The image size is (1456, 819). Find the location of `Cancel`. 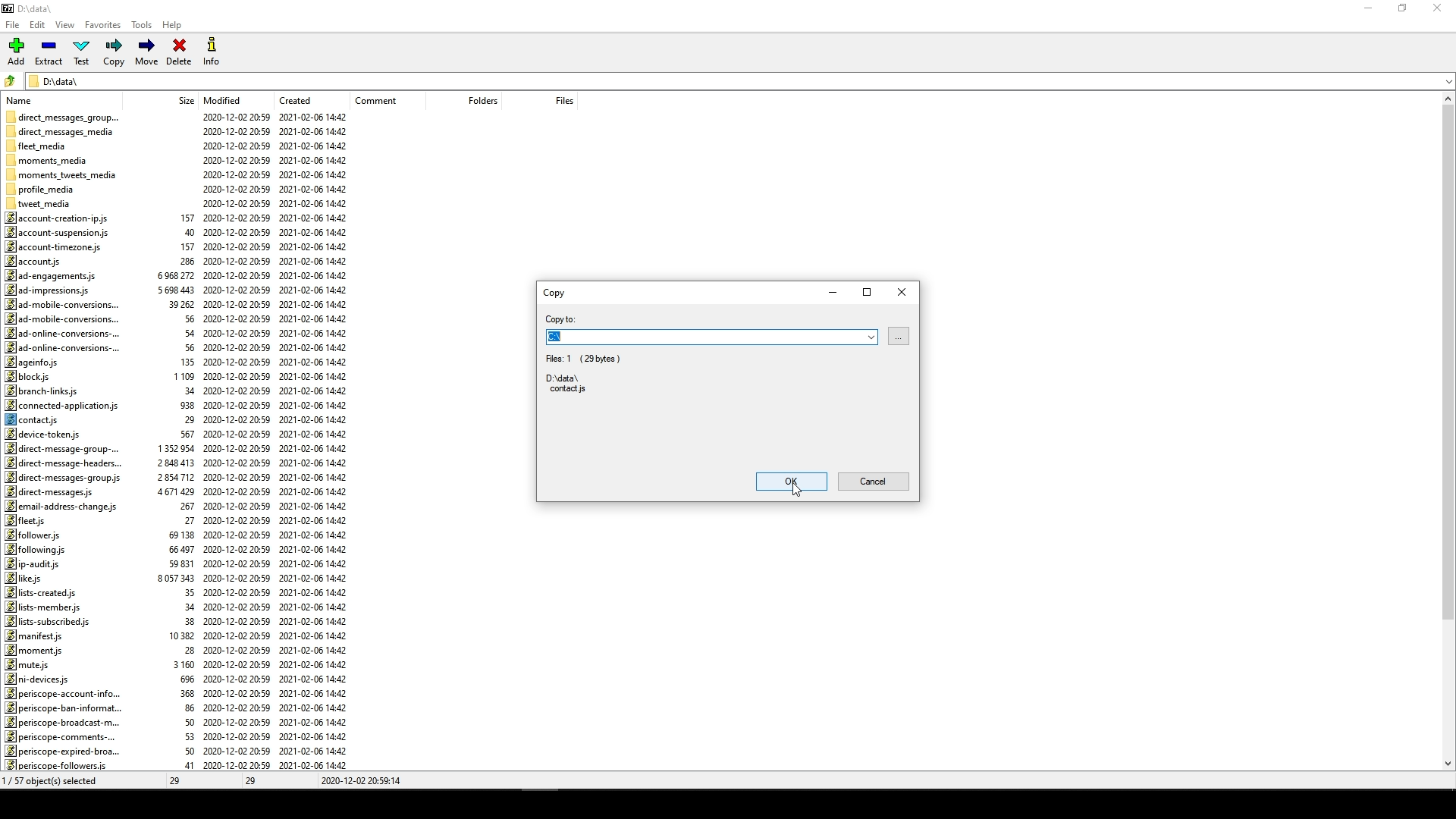

Cancel is located at coordinates (874, 482).